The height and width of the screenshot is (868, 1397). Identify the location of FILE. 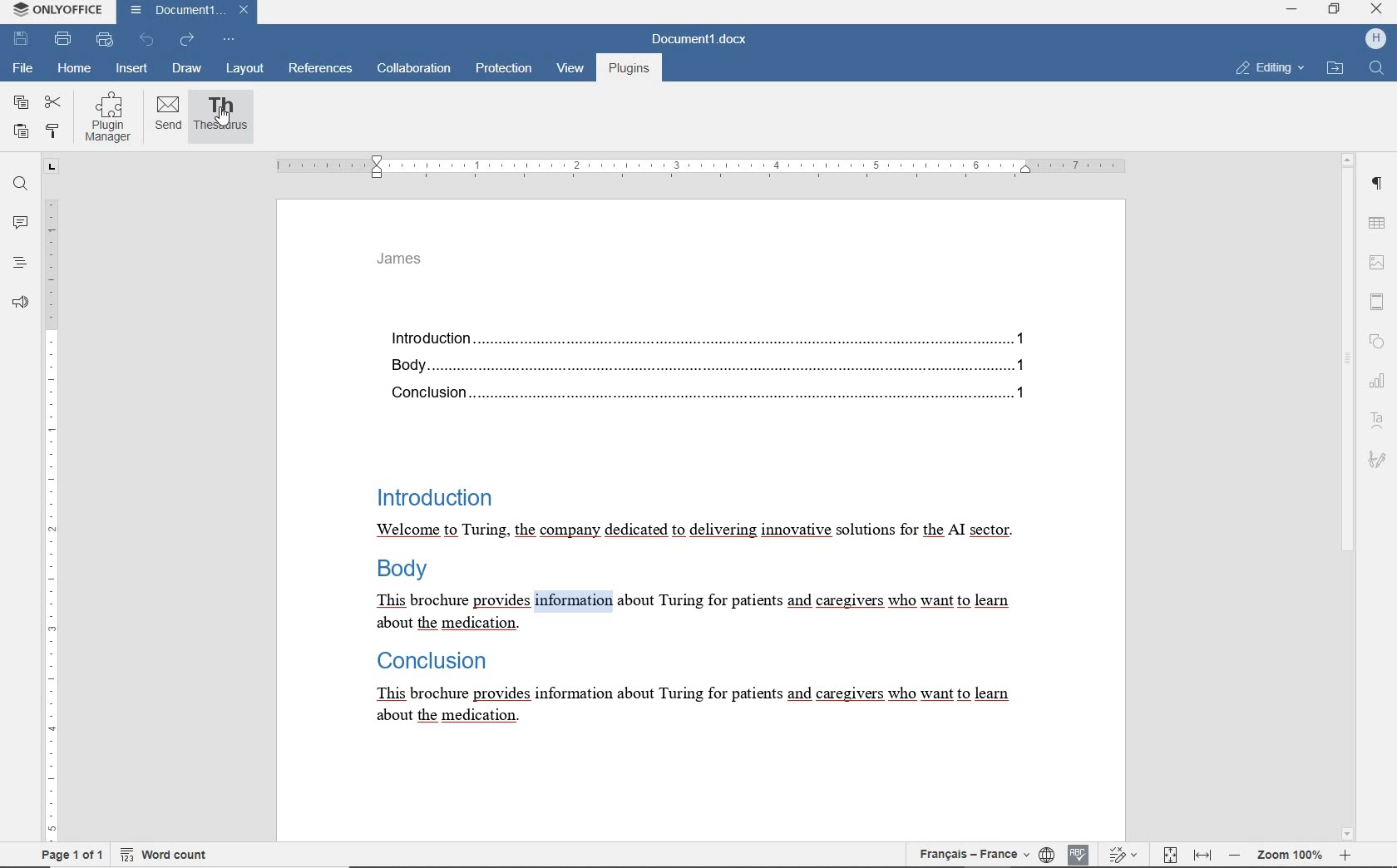
(24, 70).